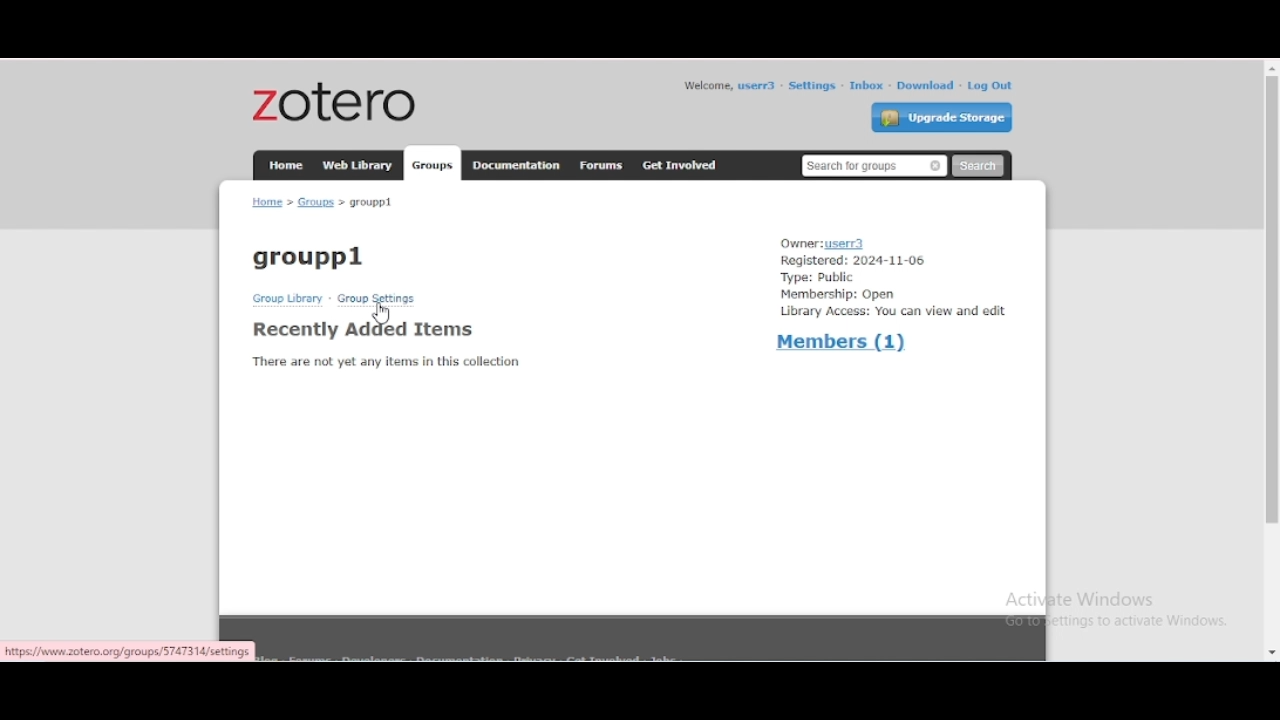  What do you see at coordinates (990, 85) in the screenshot?
I see `log out` at bounding box center [990, 85].